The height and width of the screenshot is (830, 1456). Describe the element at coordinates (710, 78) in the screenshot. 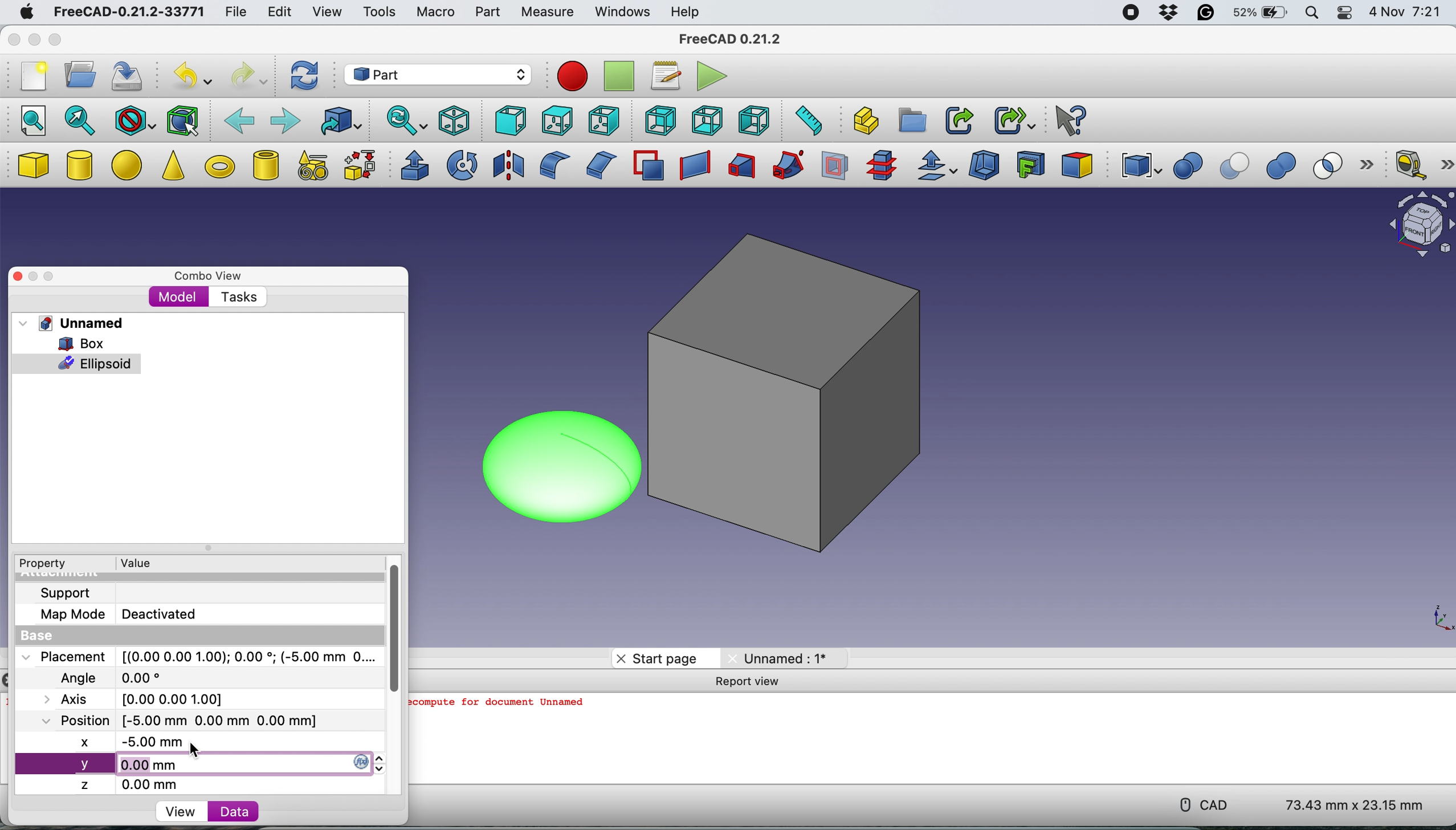

I see `execute macros` at that location.